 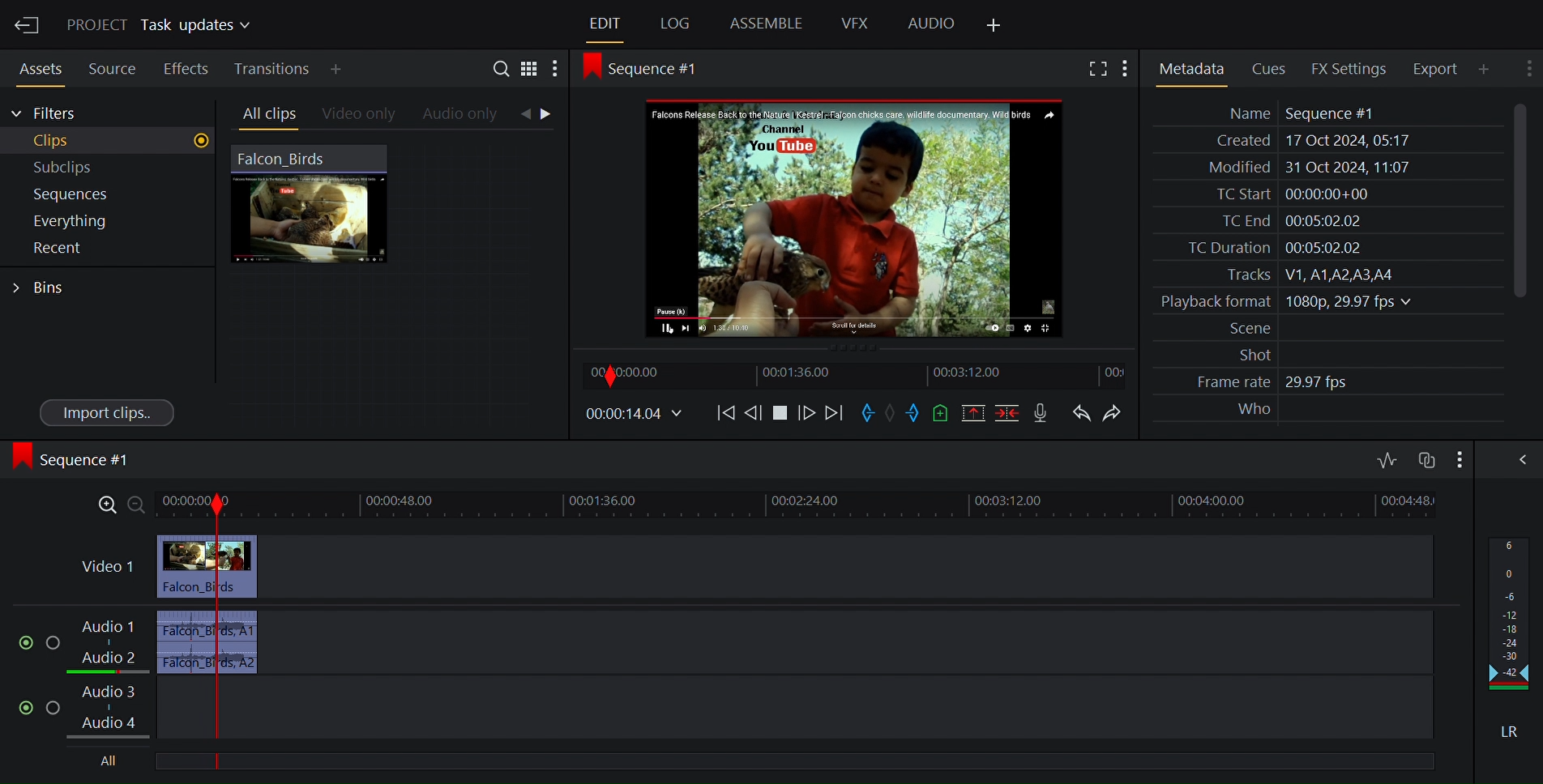 I want to click on Scene, so click(x=1242, y=329).